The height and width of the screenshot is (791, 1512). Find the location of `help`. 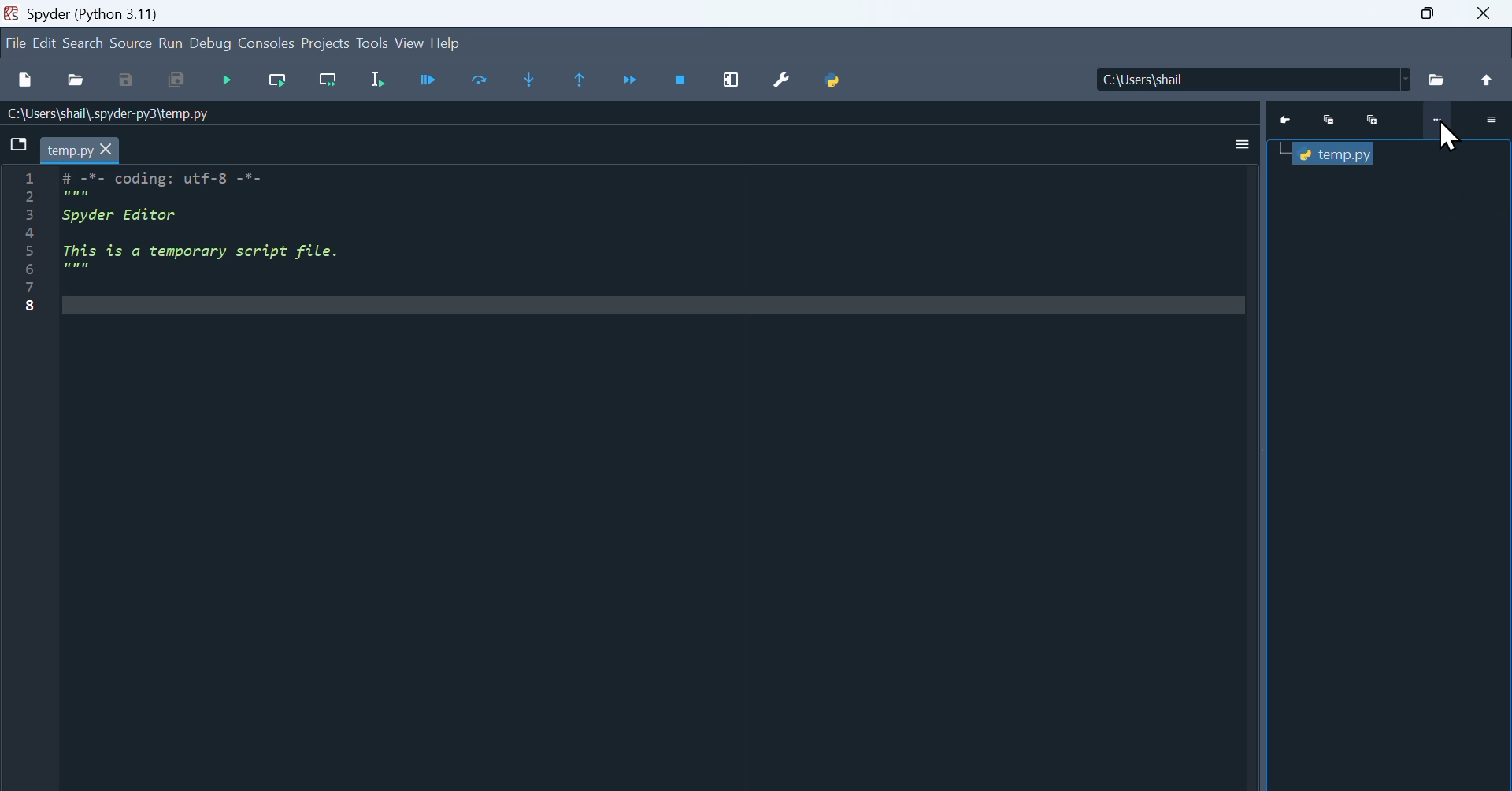

help is located at coordinates (445, 43).